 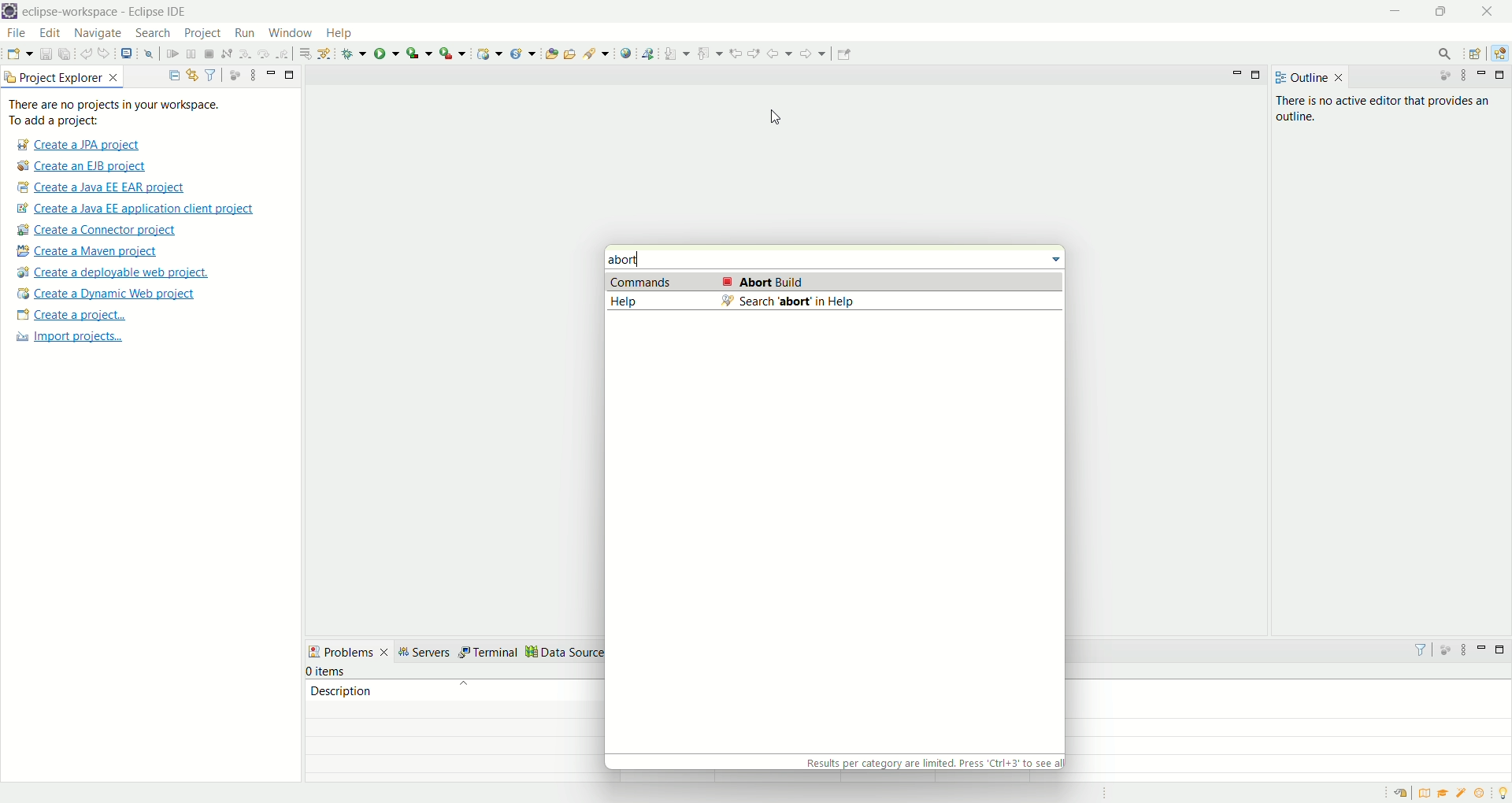 What do you see at coordinates (262, 54) in the screenshot?
I see `step over` at bounding box center [262, 54].